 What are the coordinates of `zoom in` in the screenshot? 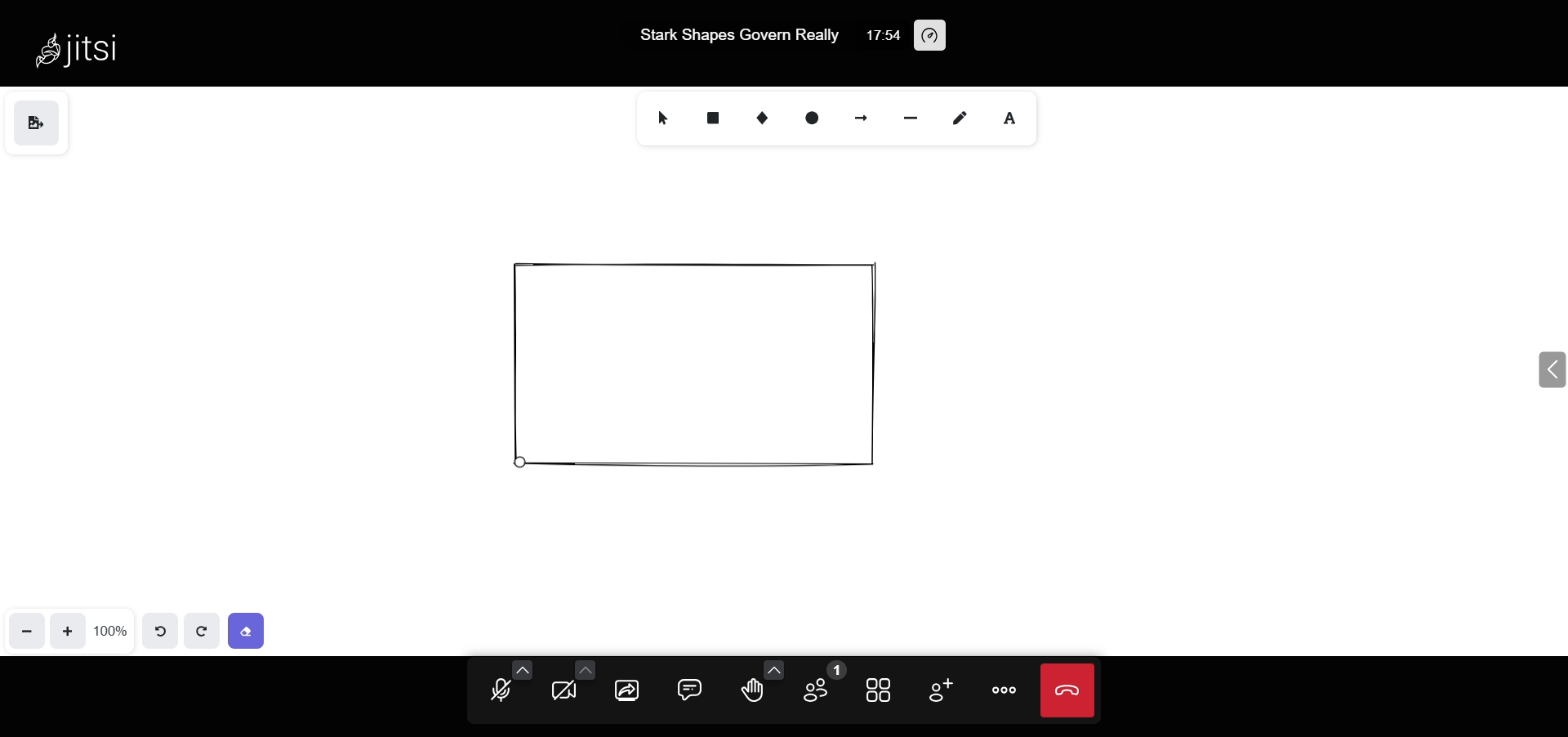 It's located at (68, 629).